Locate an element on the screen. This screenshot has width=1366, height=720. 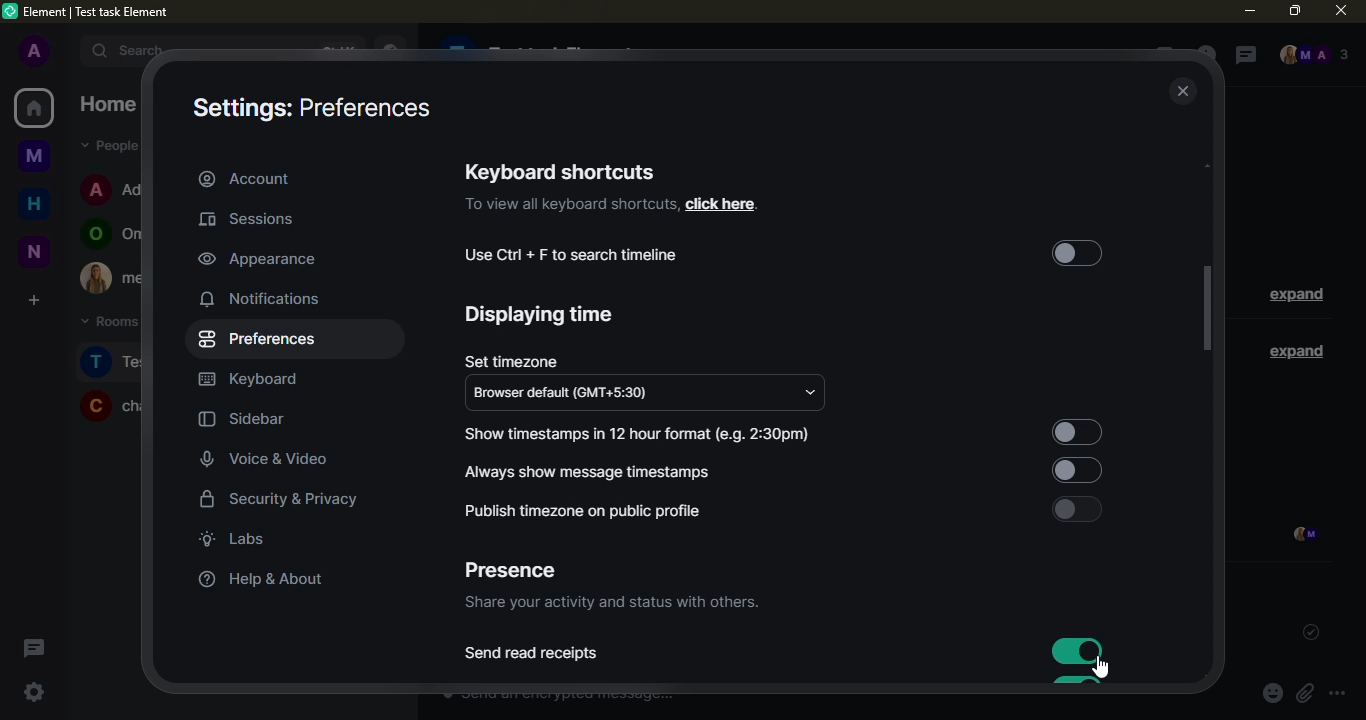
show timestamp is located at coordinates (640, 434).